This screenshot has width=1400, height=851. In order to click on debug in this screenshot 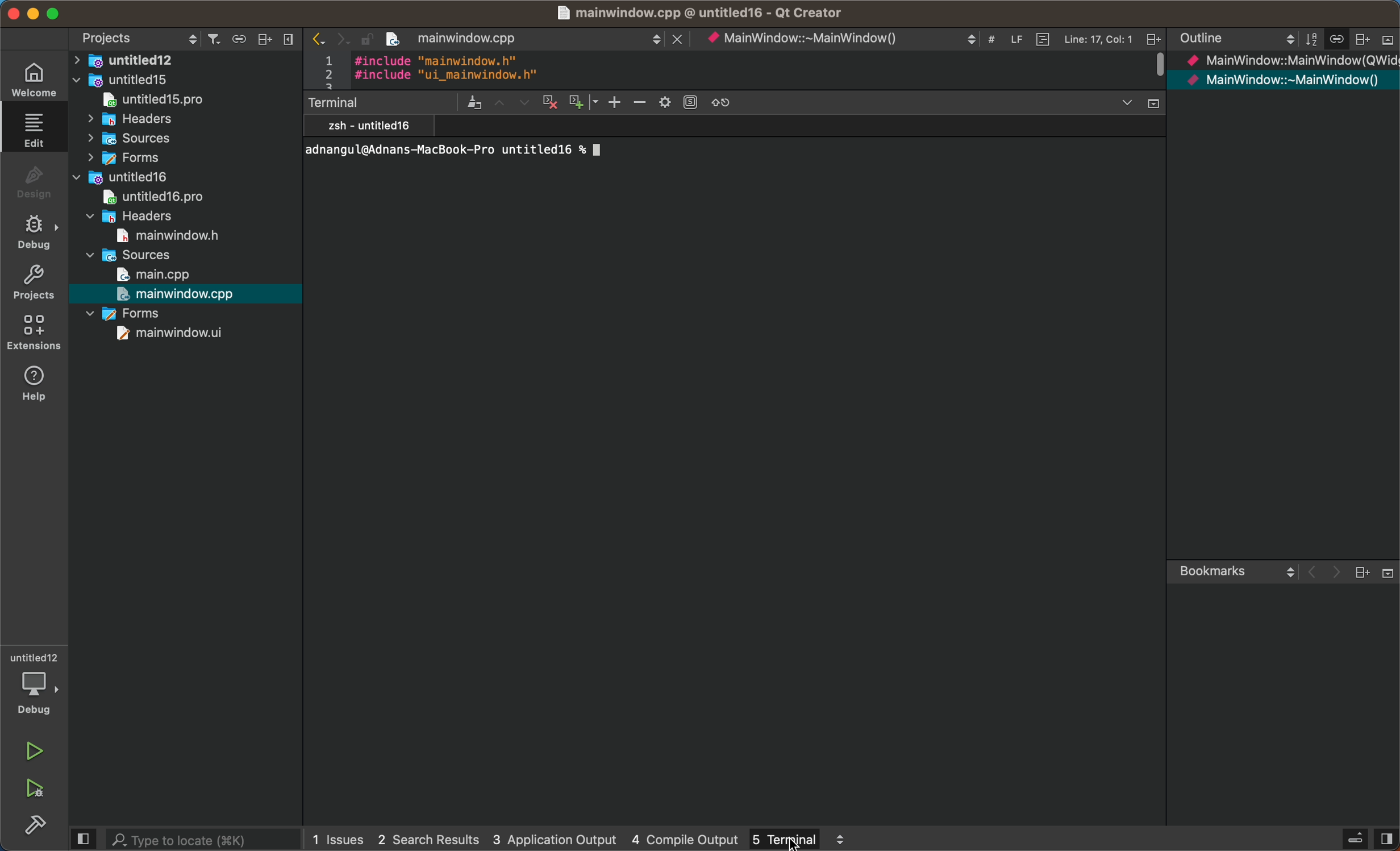, I will do `click(36, 231)`.